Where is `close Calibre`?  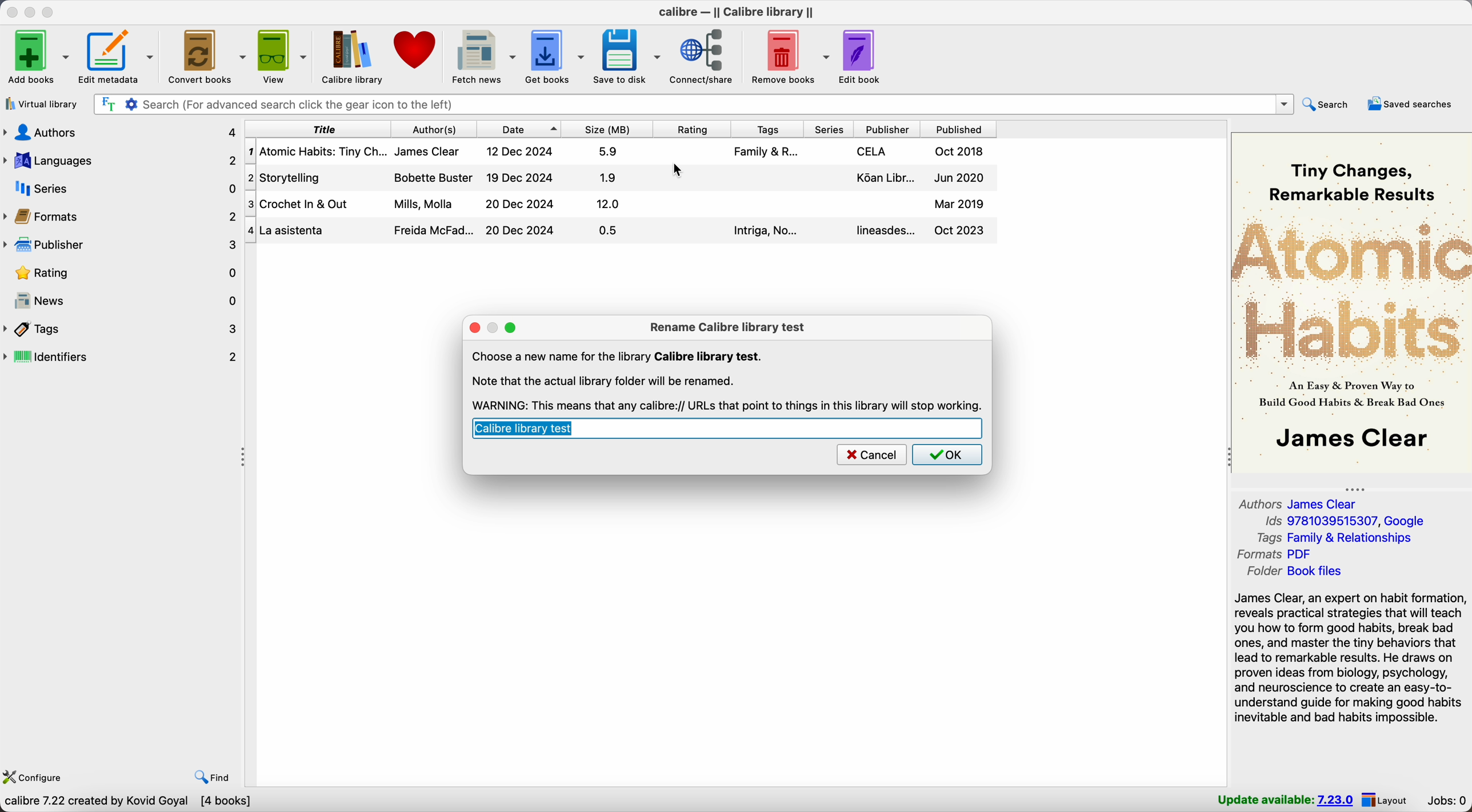 close Calibre is located at coordinates (10, 13).